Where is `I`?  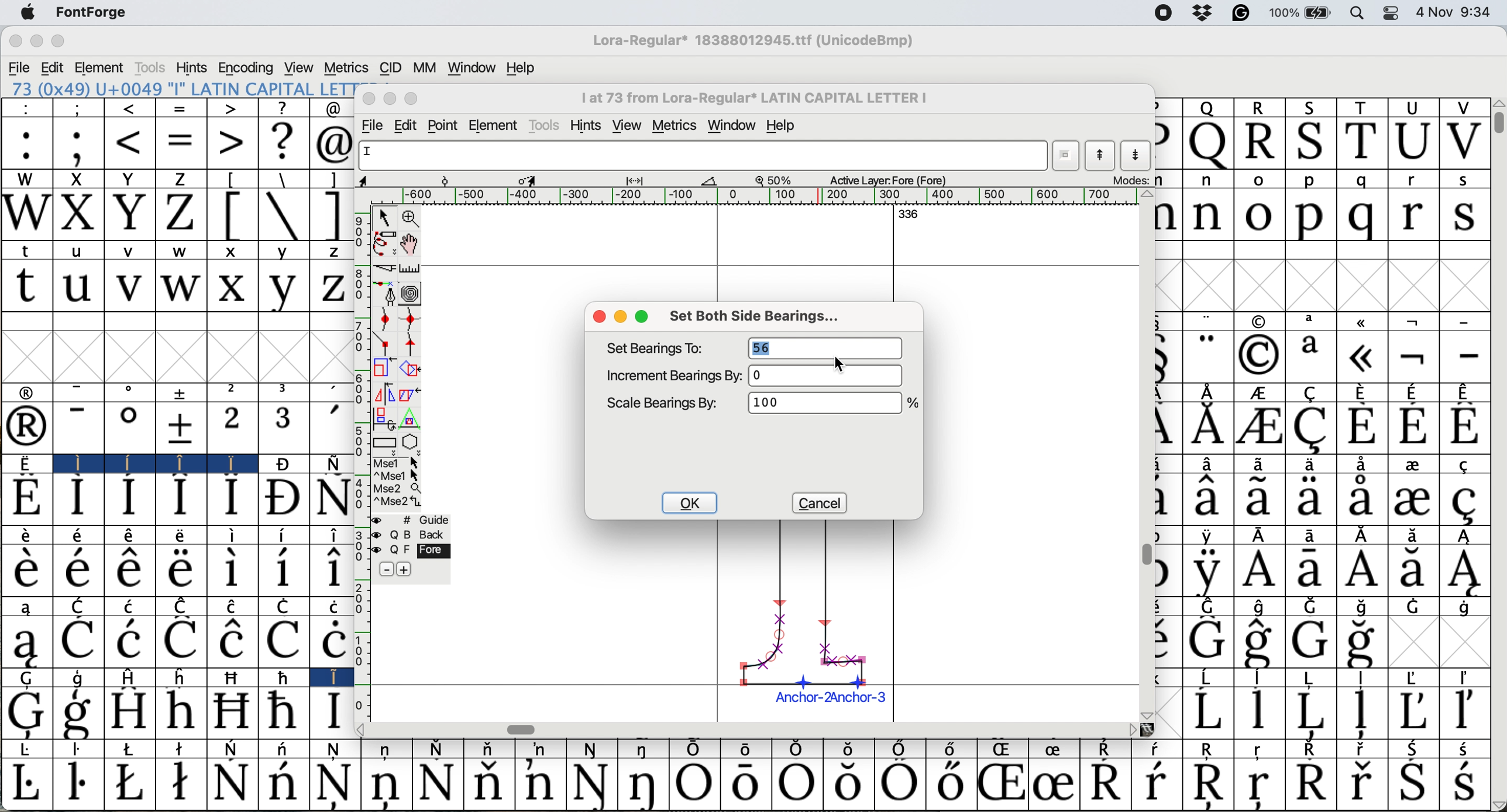
I is located at coordinates (75, 463).